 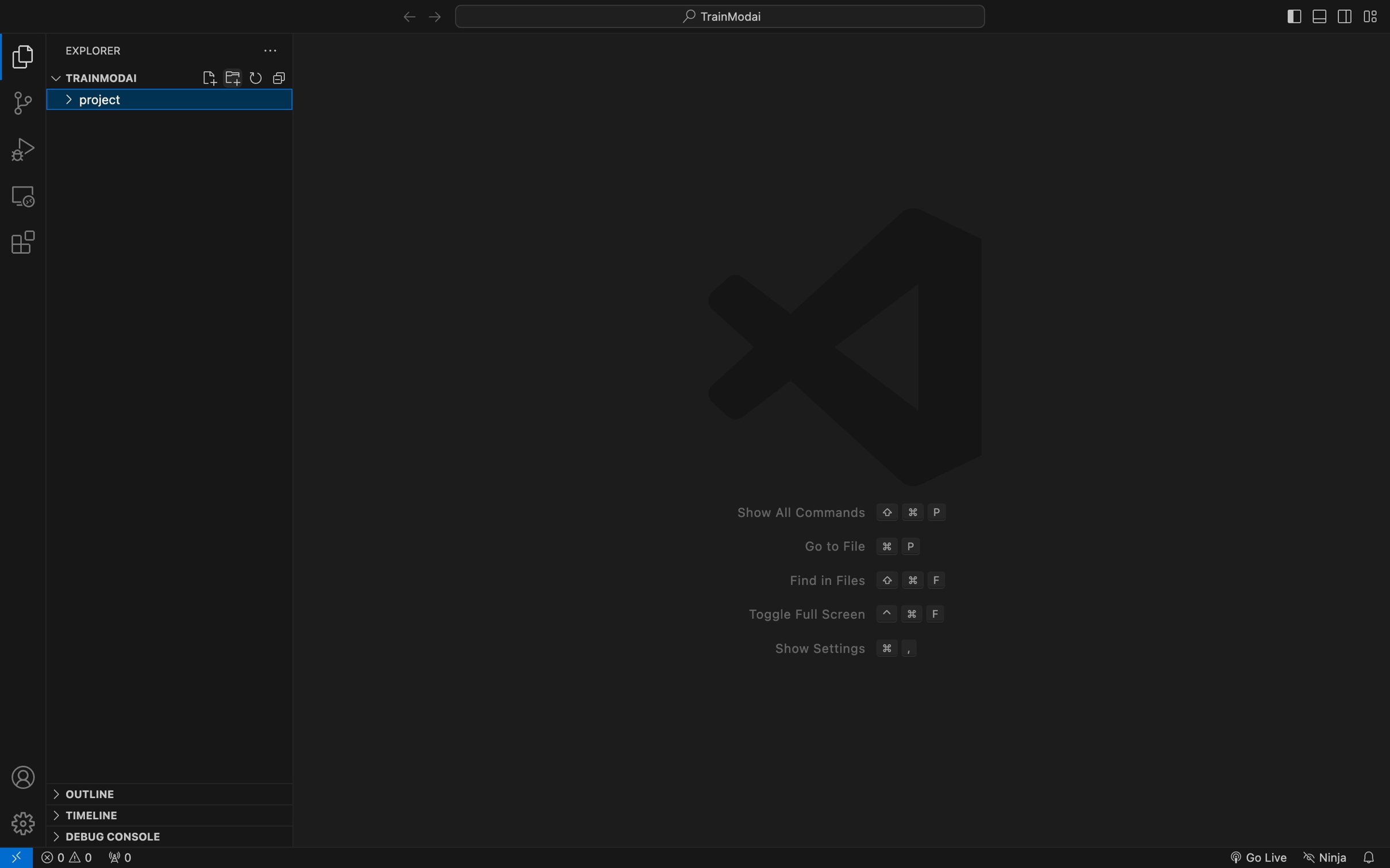 What do you see at coordinates (98, 78) in the screenshot?
I see `trainmqdi` at bounding box center [98, 78].